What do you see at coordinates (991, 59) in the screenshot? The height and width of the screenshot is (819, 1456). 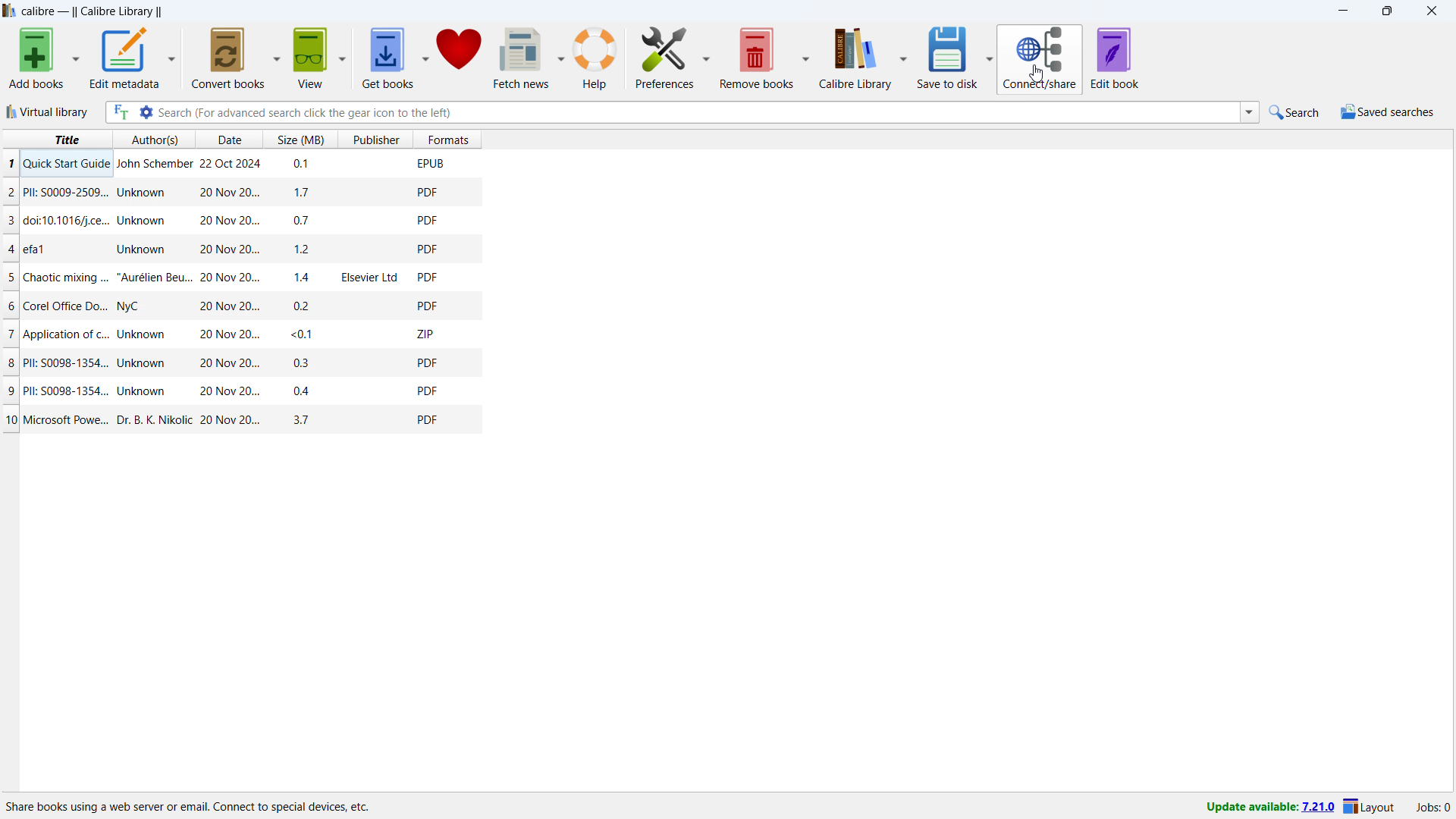 I see `save to disk options` at bounding box center [991, 59].